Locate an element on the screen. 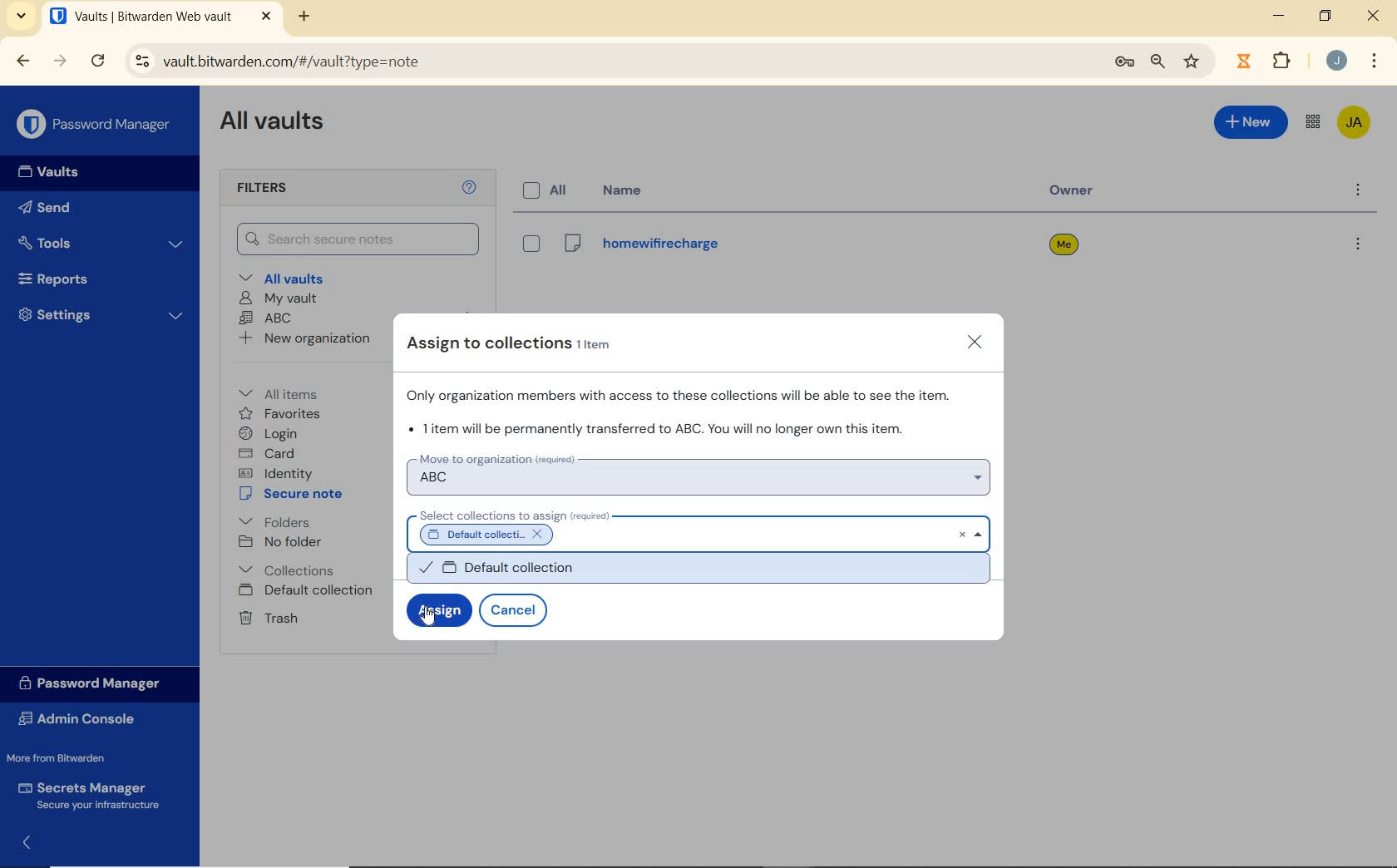 The width and height of the screenshot is (1397, 868). owner is located at coordinates (1064, 246).